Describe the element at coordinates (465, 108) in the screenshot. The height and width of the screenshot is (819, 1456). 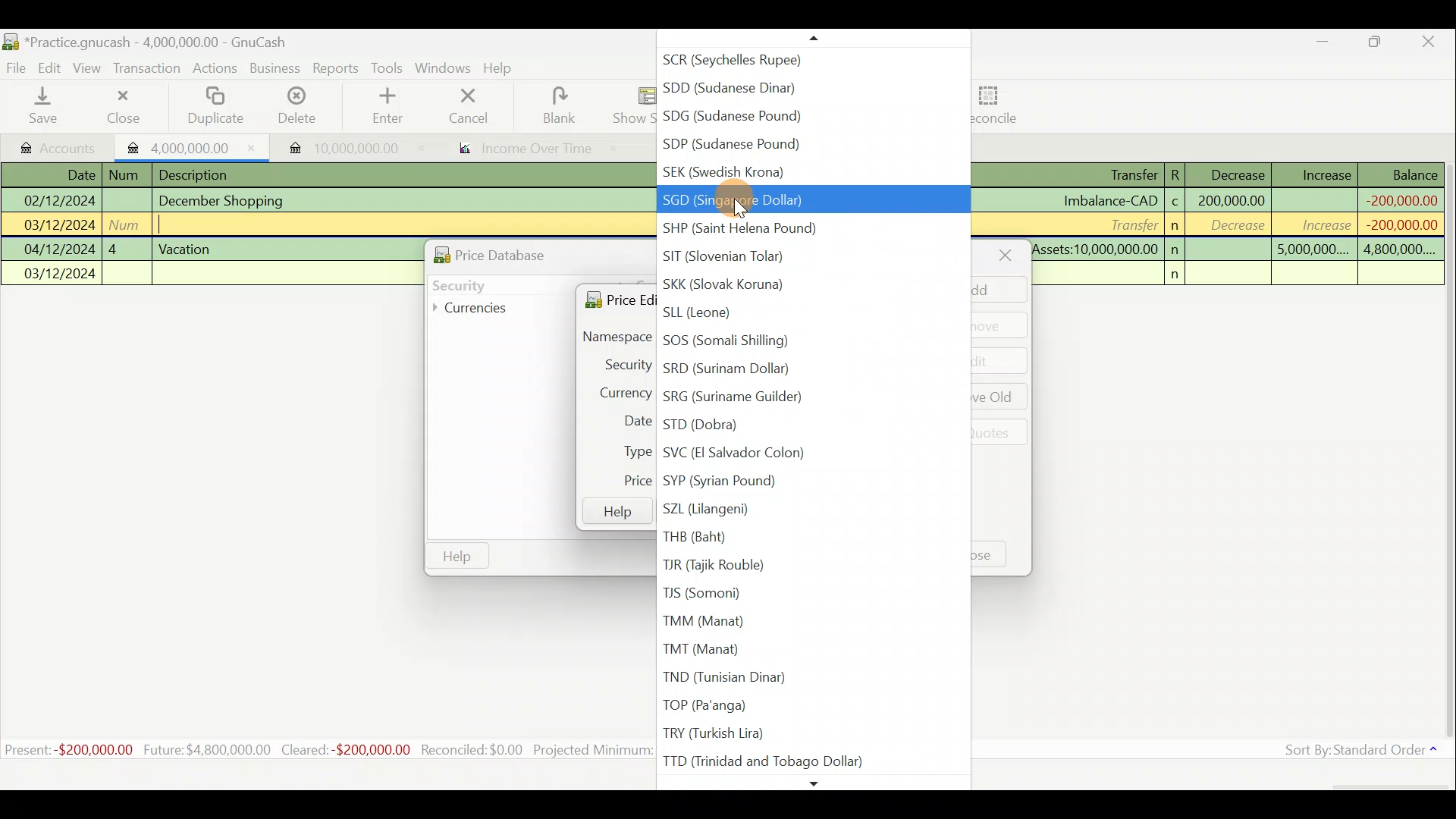
I see `Cancel` at that location.